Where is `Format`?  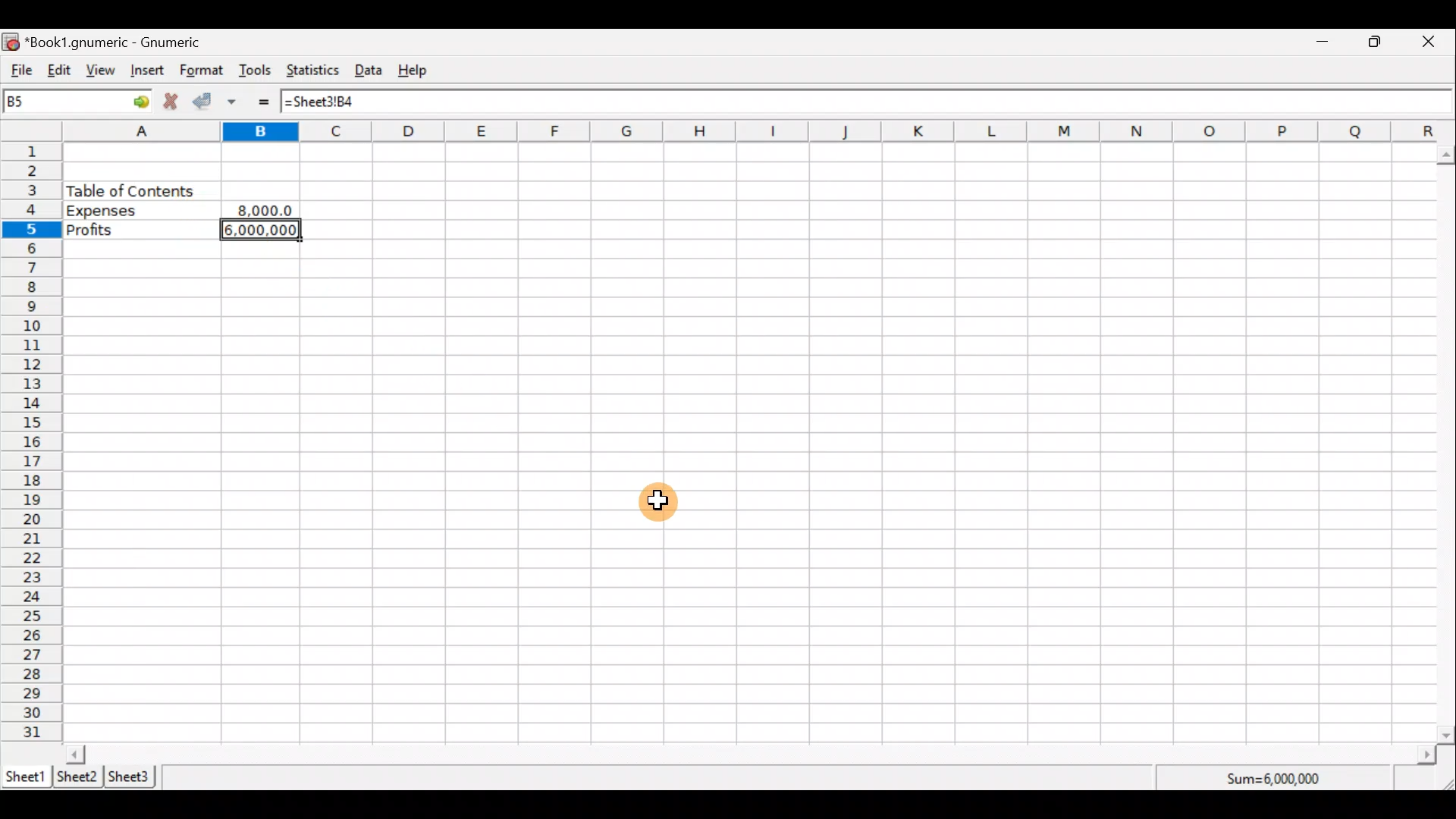
Format is located at coordinates (202, 71).